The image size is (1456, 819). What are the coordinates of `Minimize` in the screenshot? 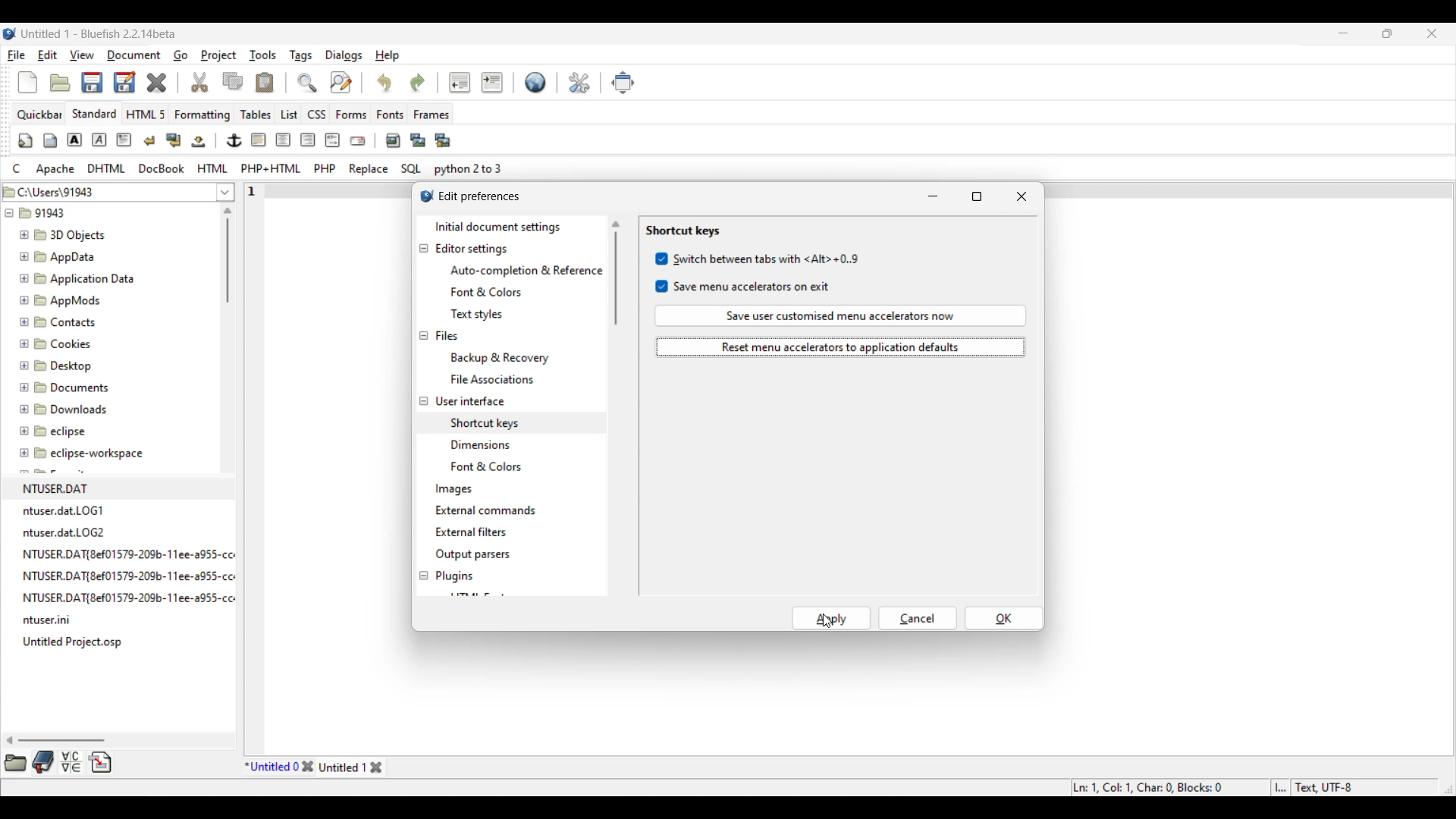 It's located at (1344, 33).